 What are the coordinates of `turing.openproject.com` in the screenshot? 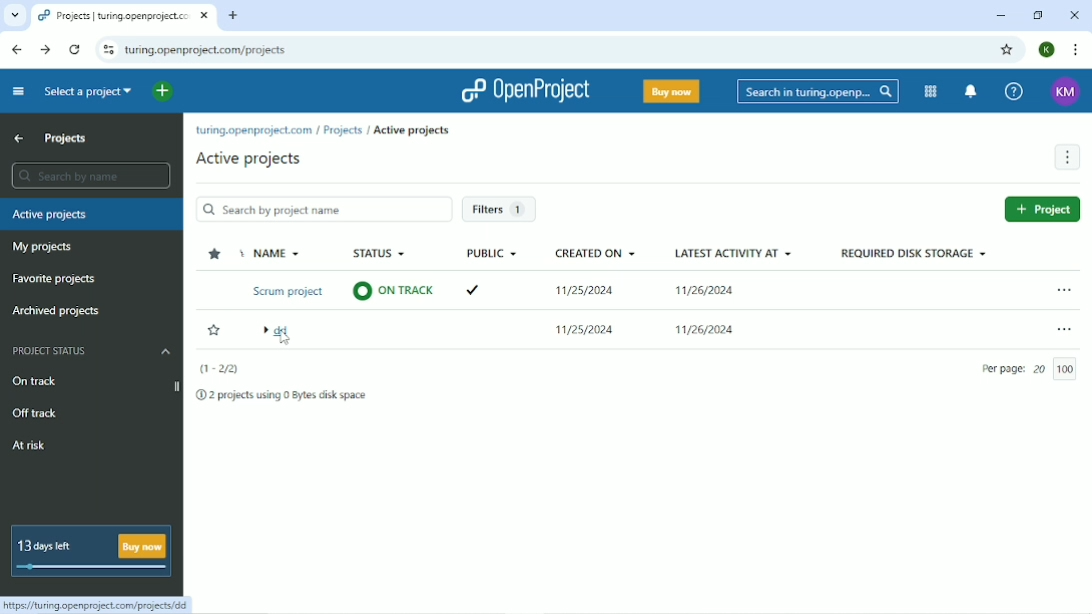 It's located at (253, 131).